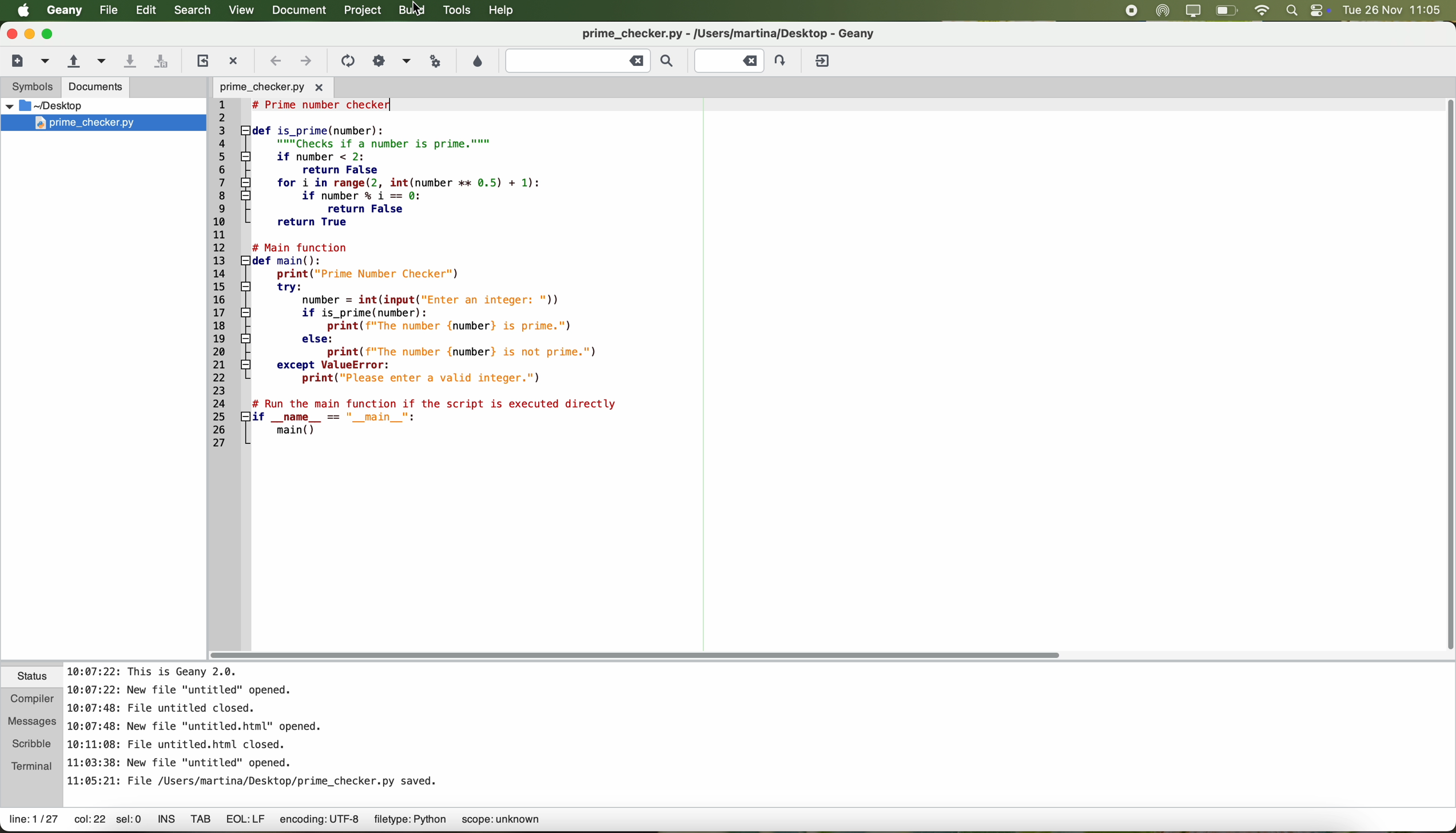 The height and width of the screenshot is (833, 1456). What do you see at coordinates (236, 58) in the screenshot?
I see `close the current file` at bounding box center [236, 58].